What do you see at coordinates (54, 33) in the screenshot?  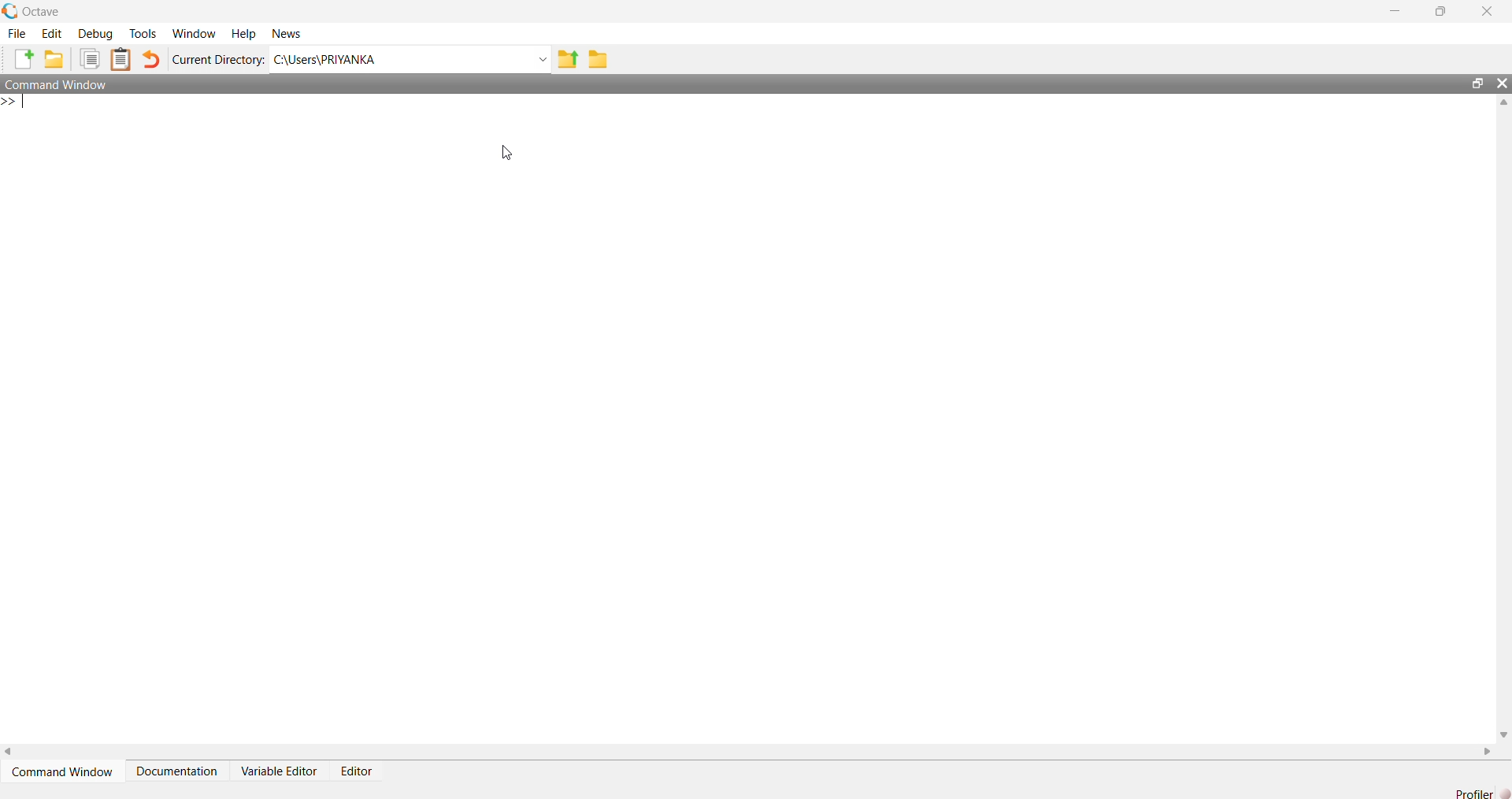 I see `Edit` at bounding box center [54, 33].